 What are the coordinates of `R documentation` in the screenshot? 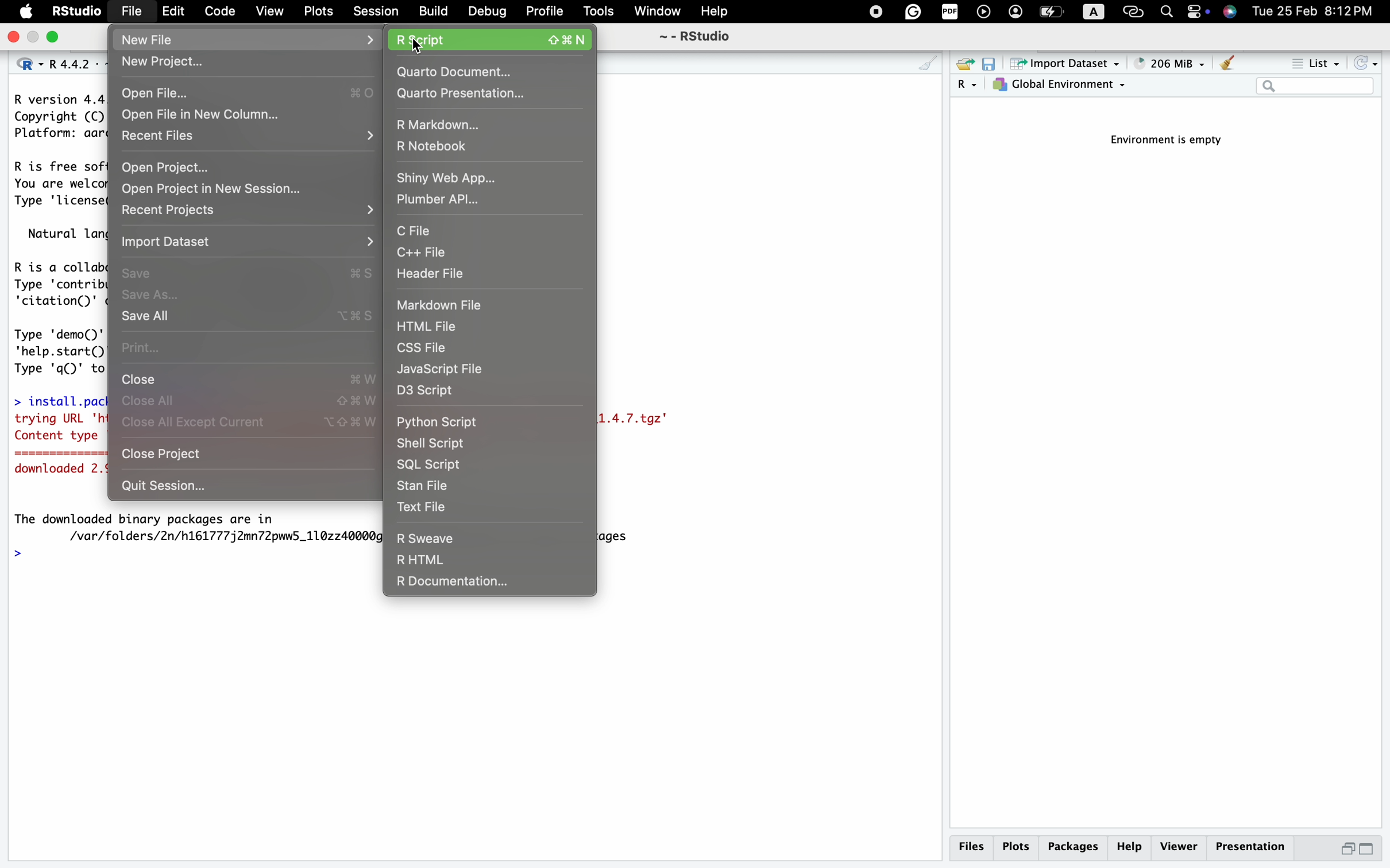 It's located at (484, 581).